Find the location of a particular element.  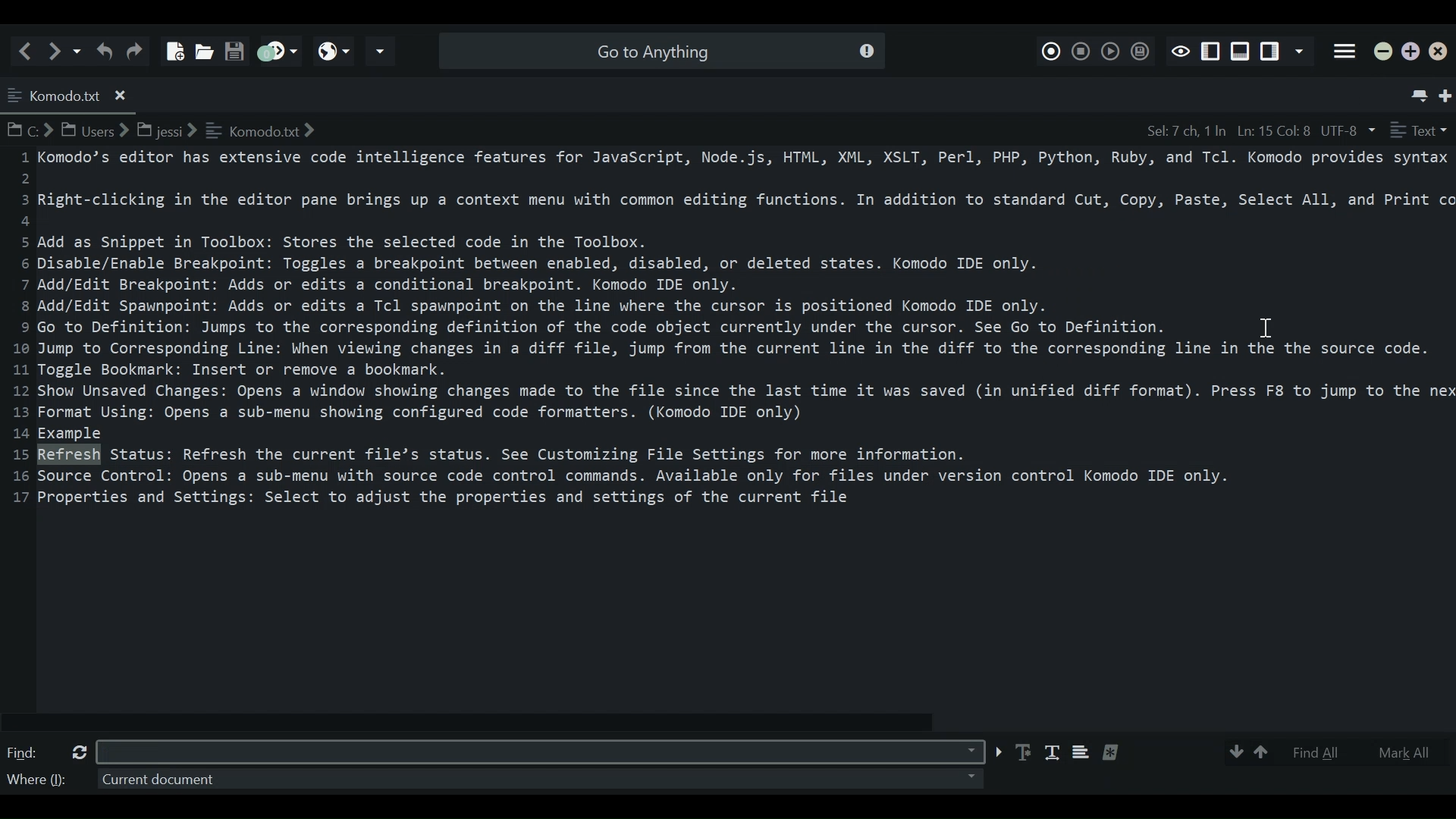

File Type is located at coordinates (1419, 130).